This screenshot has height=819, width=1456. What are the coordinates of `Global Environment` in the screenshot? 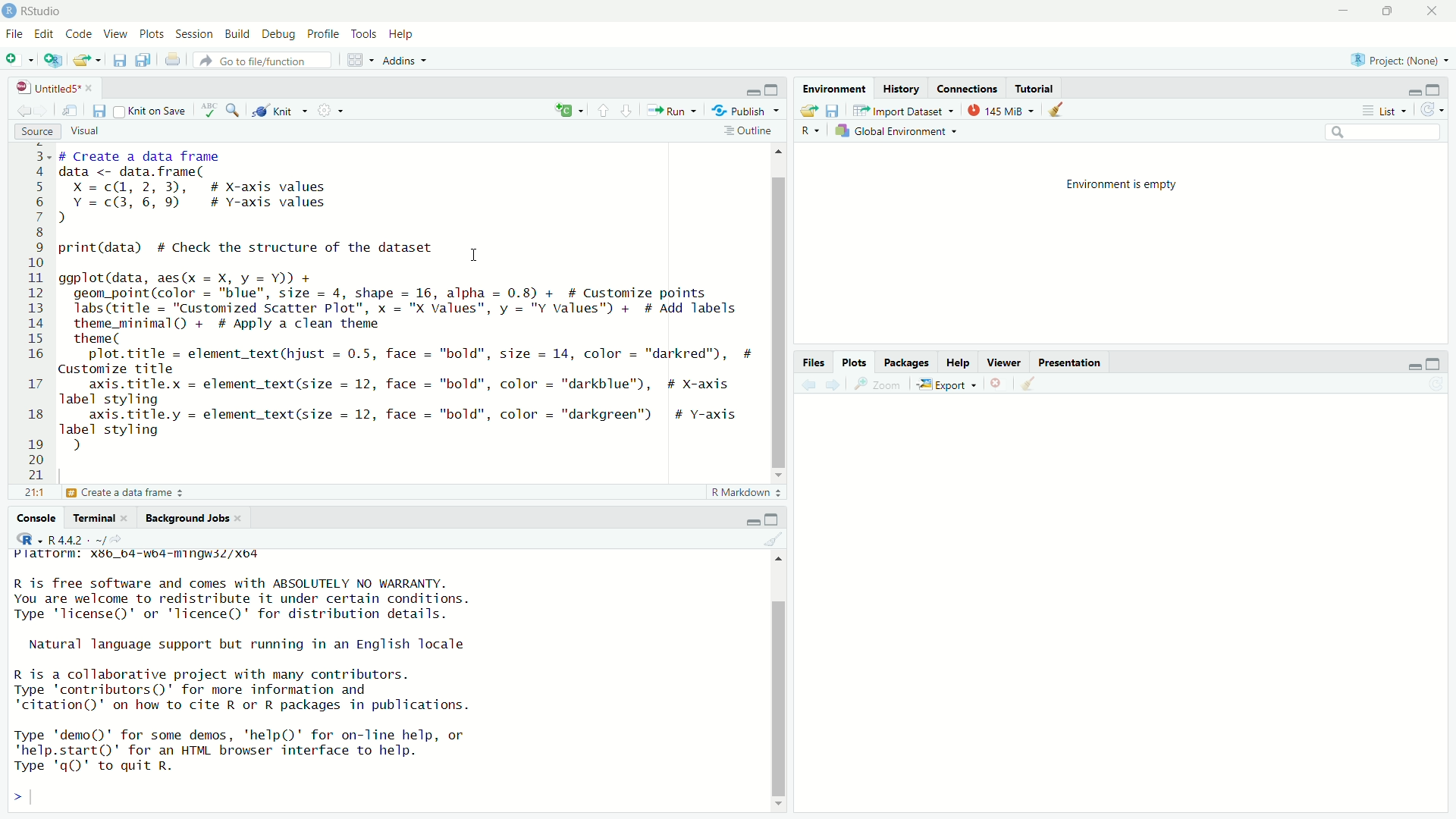 It's located at (899, 130).